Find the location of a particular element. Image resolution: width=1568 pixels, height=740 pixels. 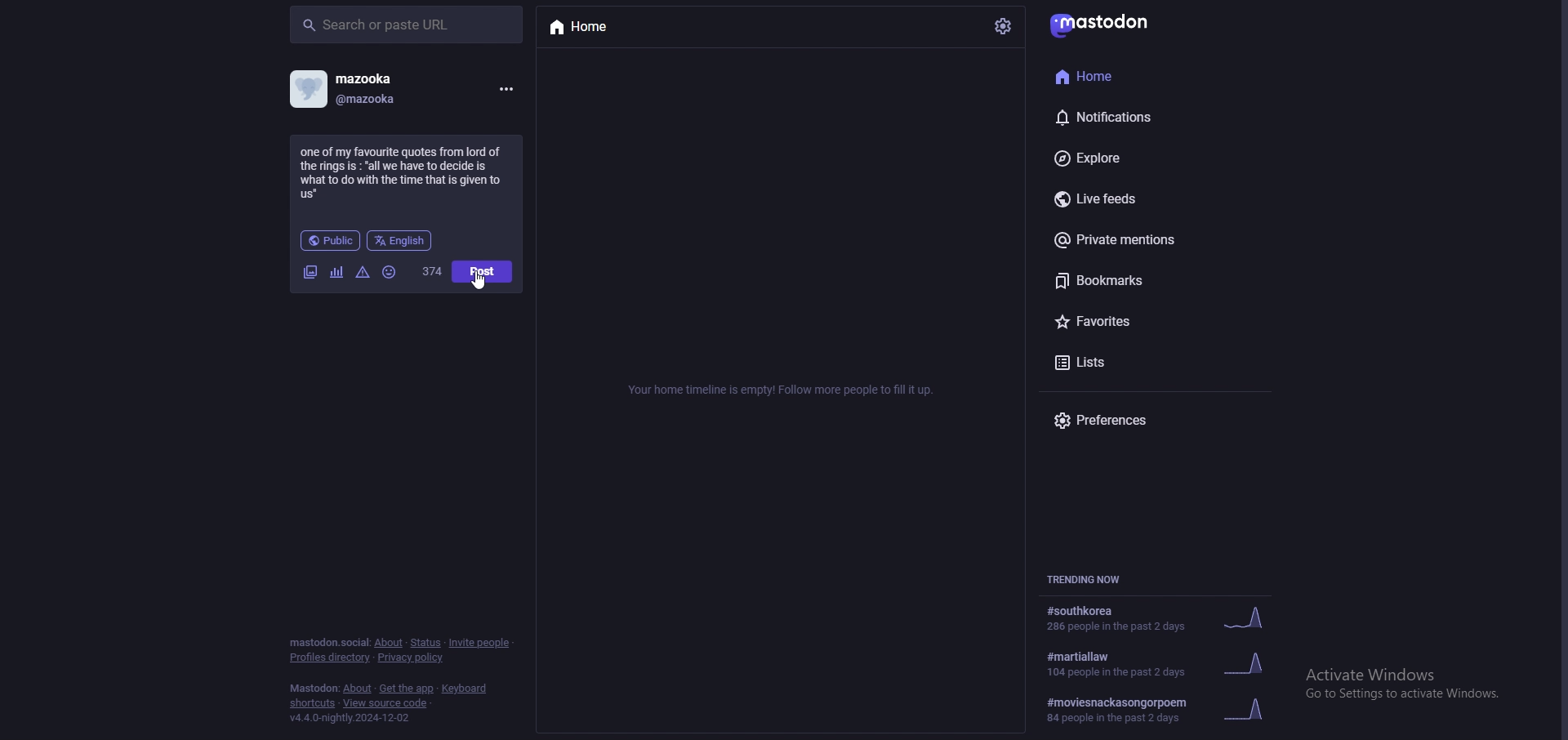

invite people is located at coordinates (482, 642).